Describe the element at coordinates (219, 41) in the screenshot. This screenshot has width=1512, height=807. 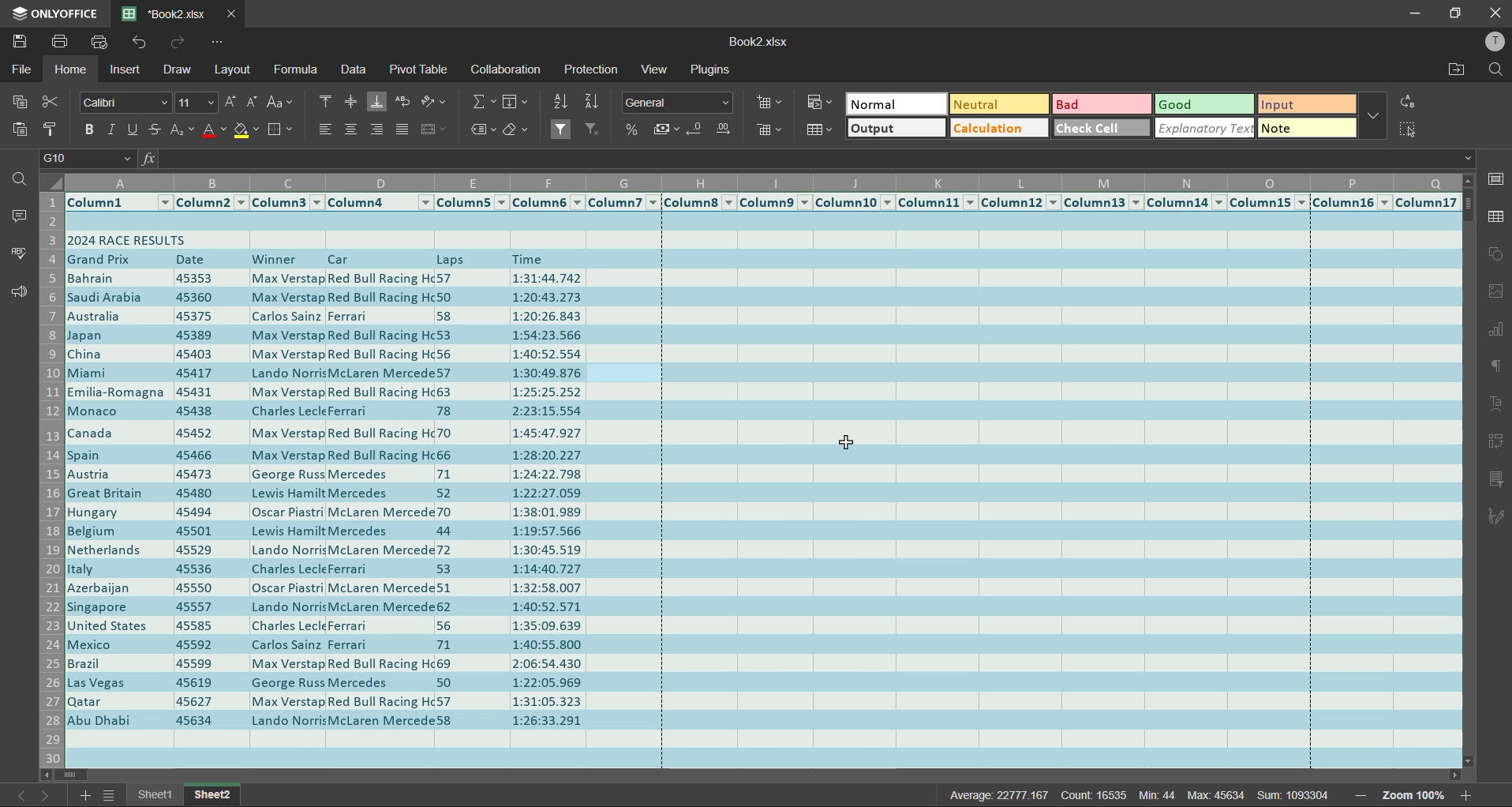
I see `customize quick access toolbar` at that location.